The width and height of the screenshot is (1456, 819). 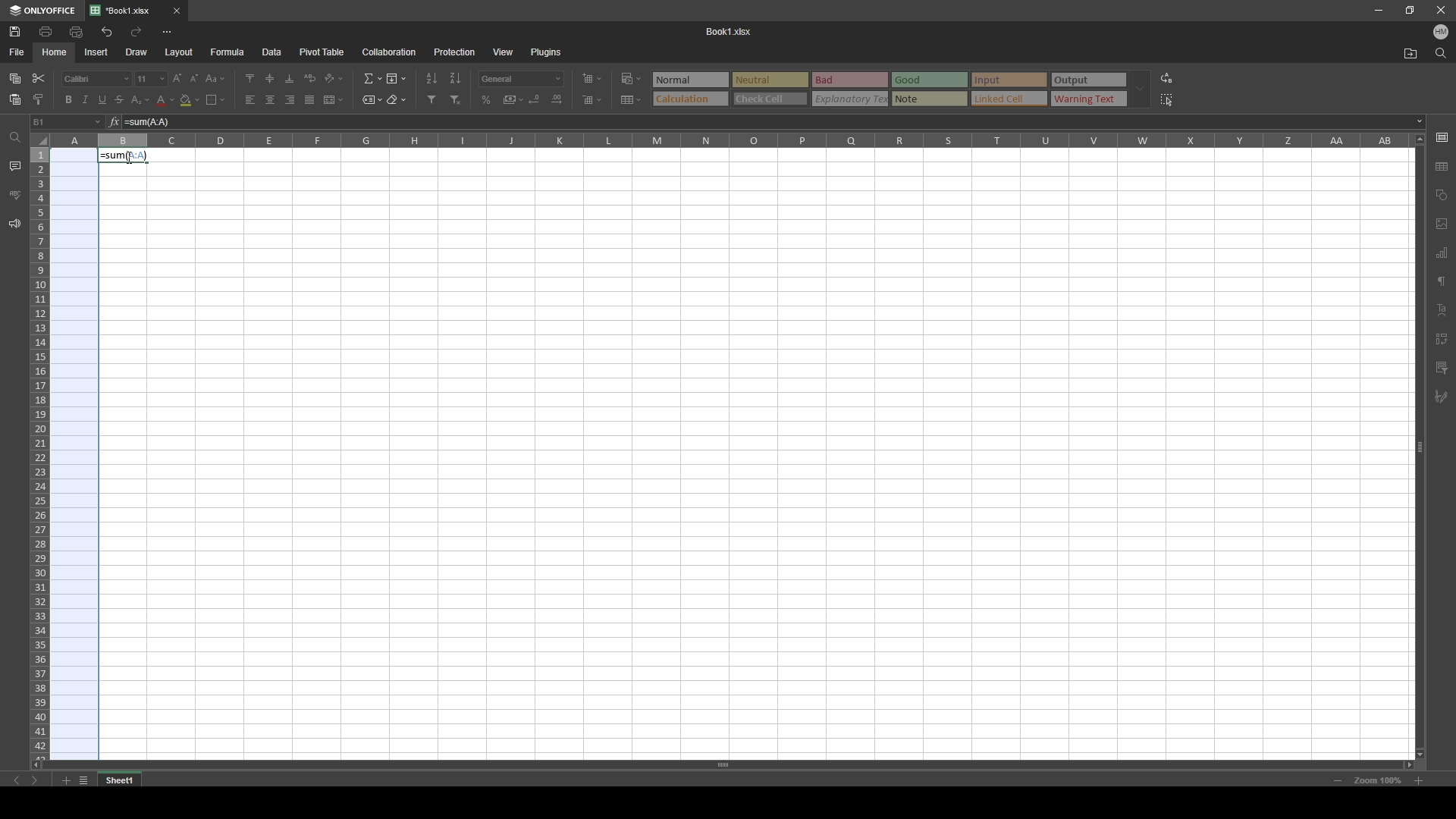 What do you see at coordinates (65, 780) in the screenshot?
I see `add sheet` at bounding box center [65, 780].